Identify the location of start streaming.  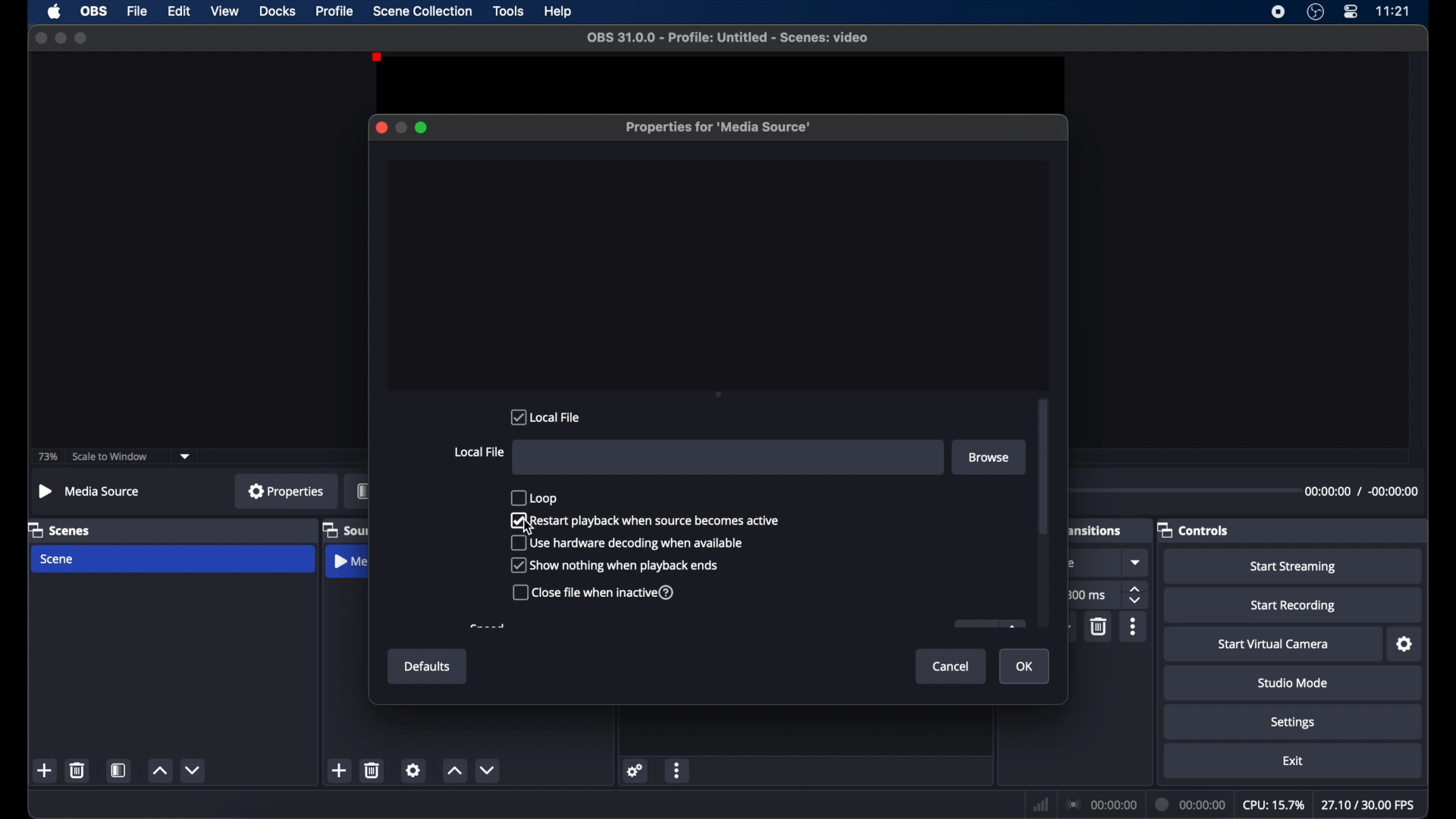
(1294, 566).